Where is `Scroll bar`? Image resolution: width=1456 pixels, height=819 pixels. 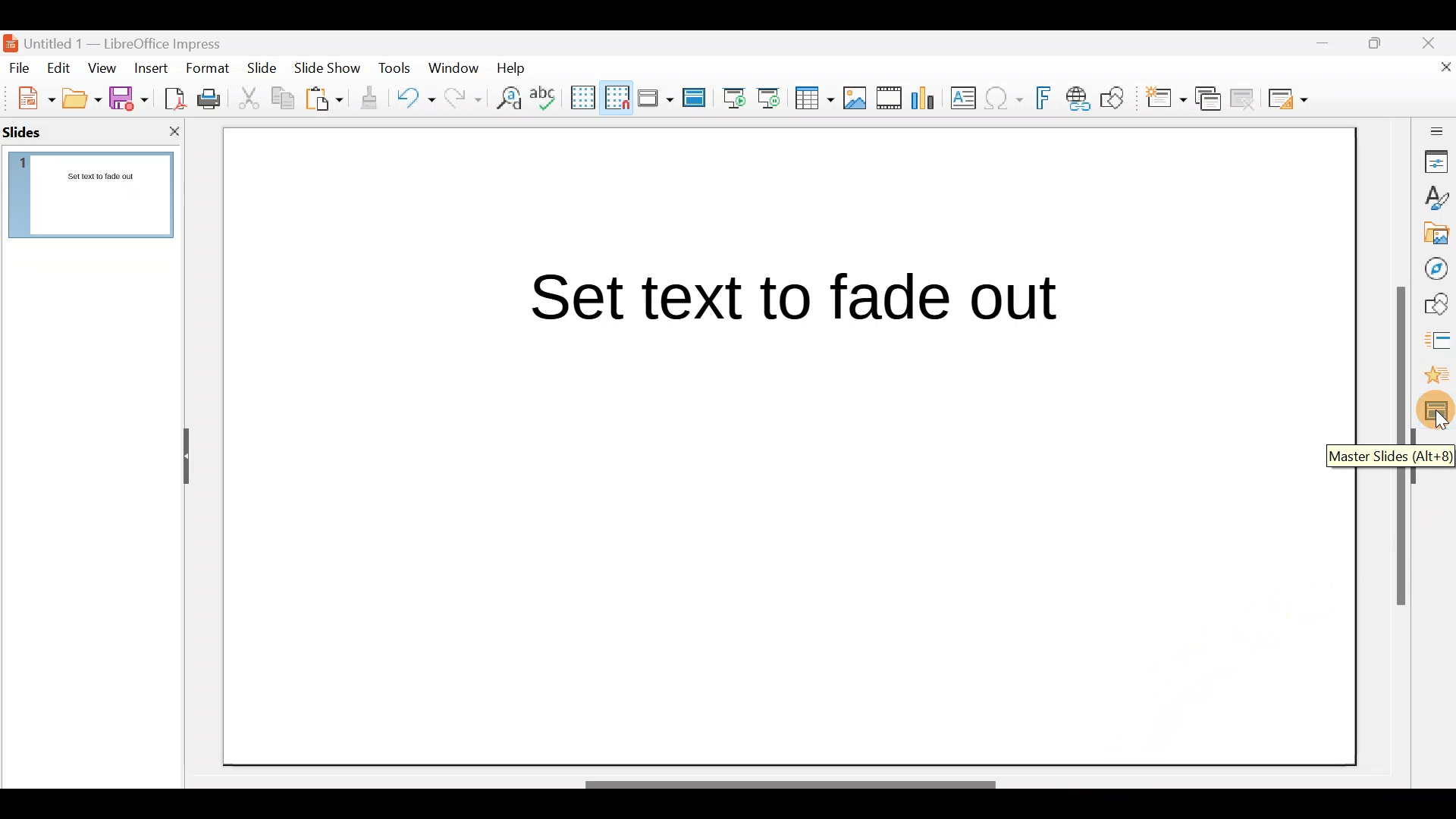
Scroll bar is located at coordinates (800, 769).